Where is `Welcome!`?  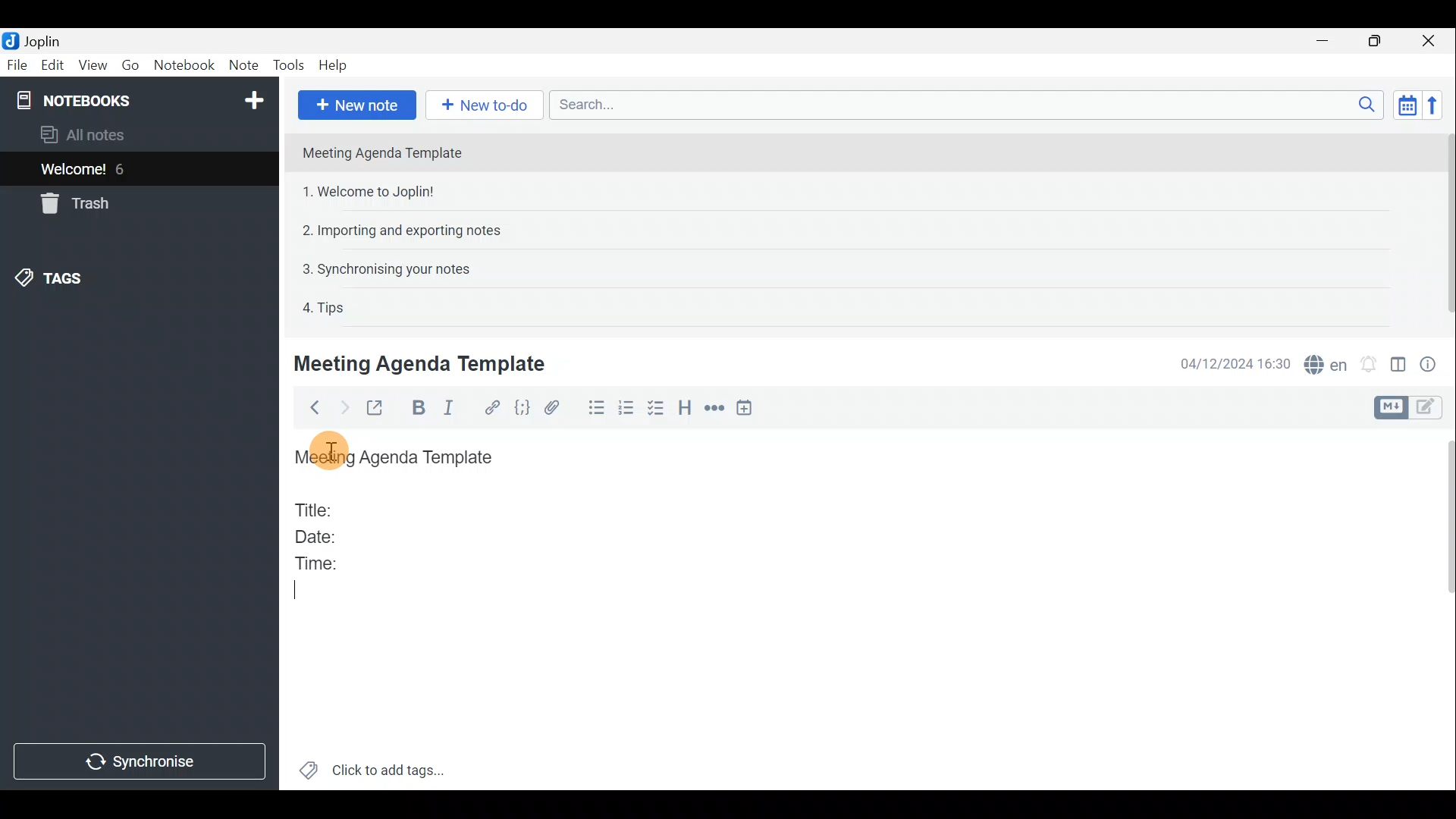 Welcome! is located at coordinates (74, 171).